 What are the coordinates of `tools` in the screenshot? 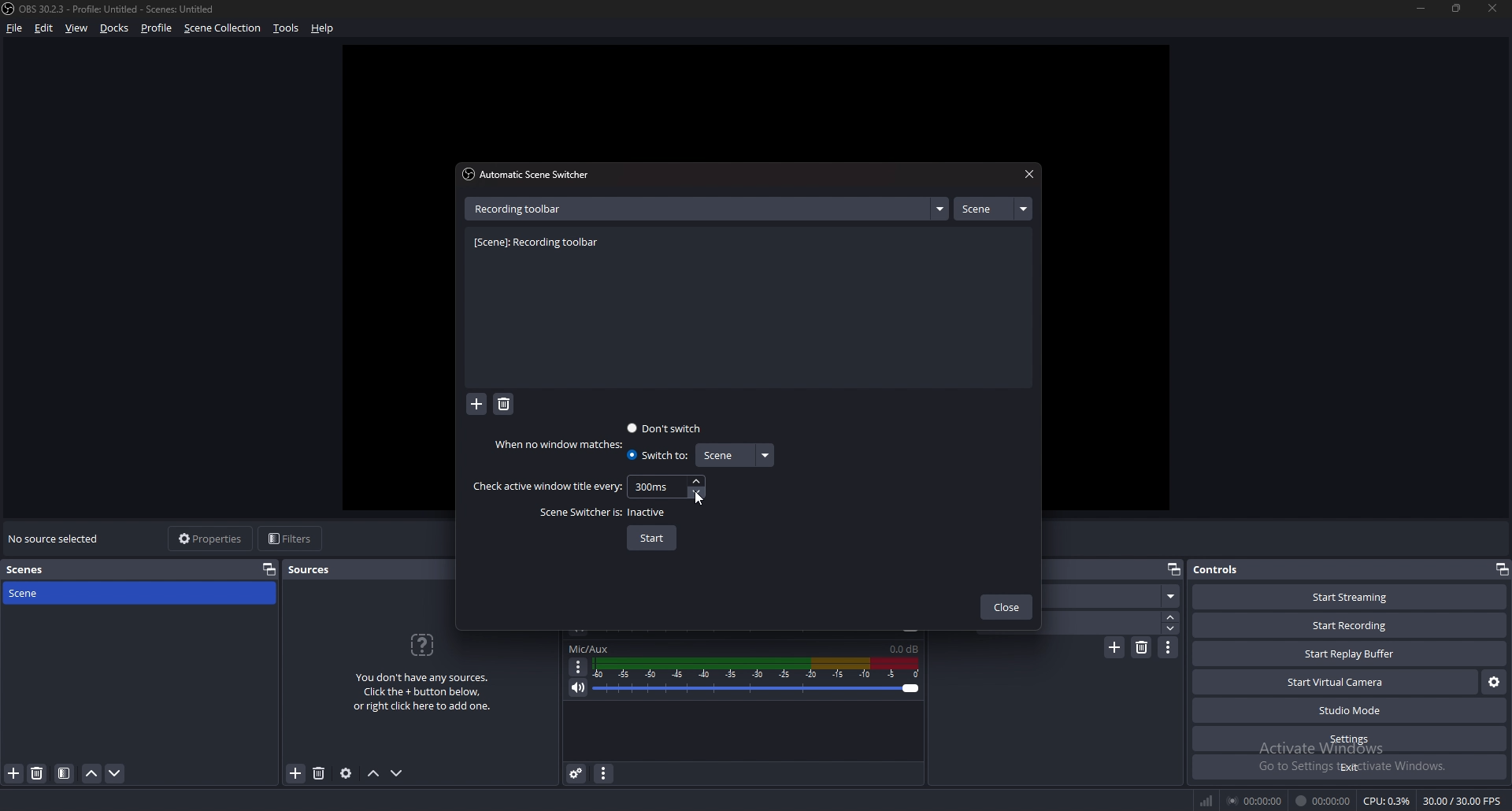 It's located at (287, 28).